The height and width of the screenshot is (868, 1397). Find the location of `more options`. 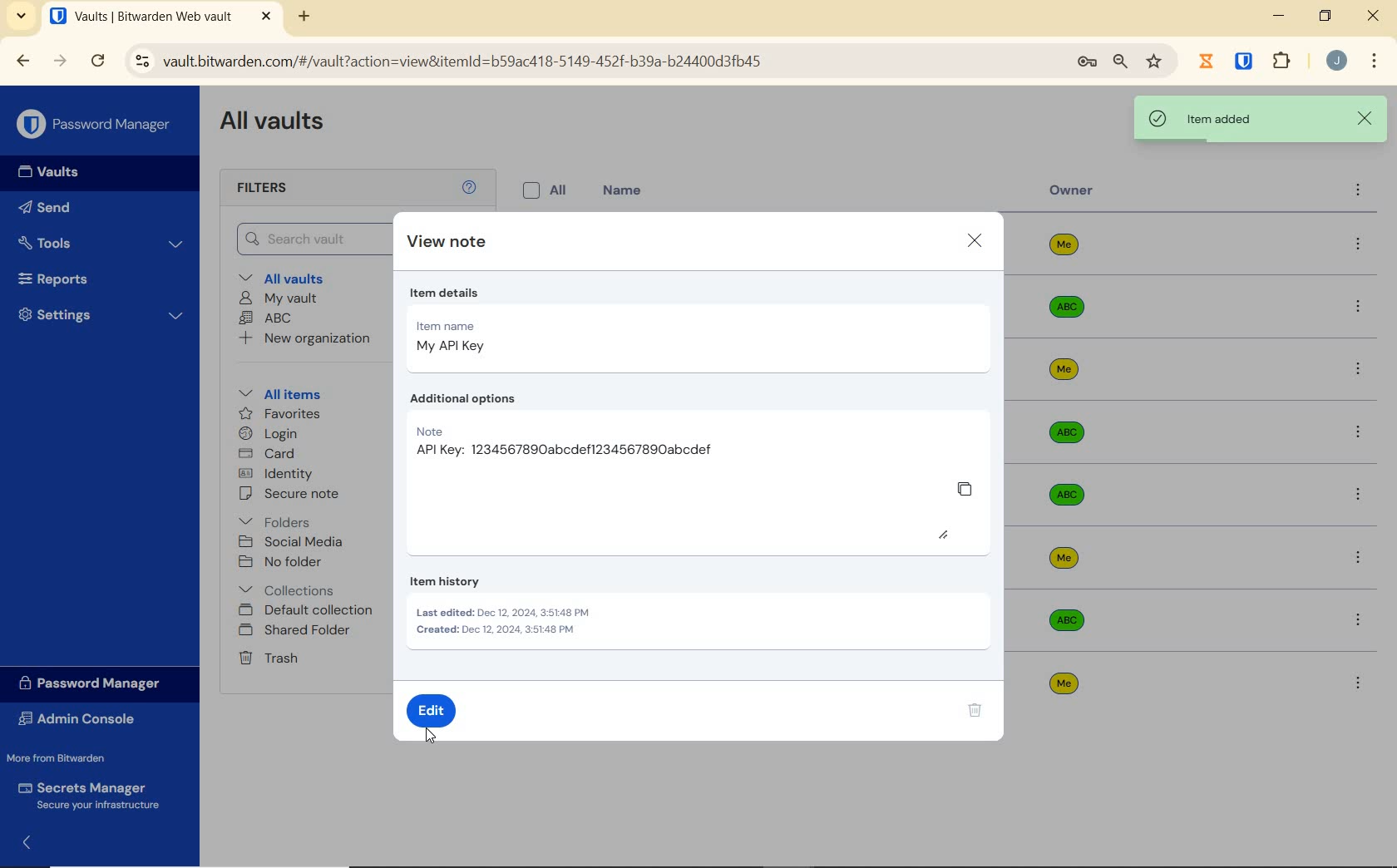

more options is located at coordinates (1358, 620).